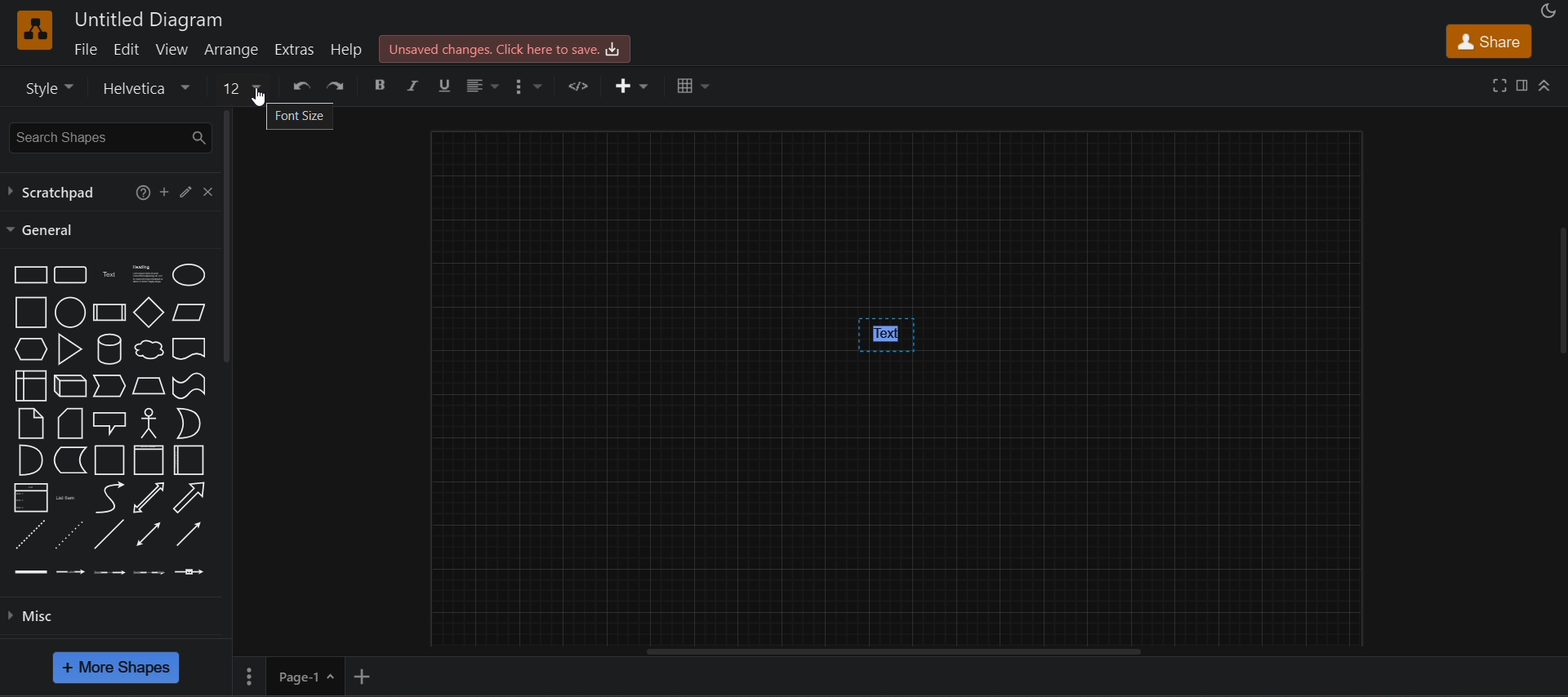 This screenshot has height=697, width=1568. I want to click on format, so click(534, 87).